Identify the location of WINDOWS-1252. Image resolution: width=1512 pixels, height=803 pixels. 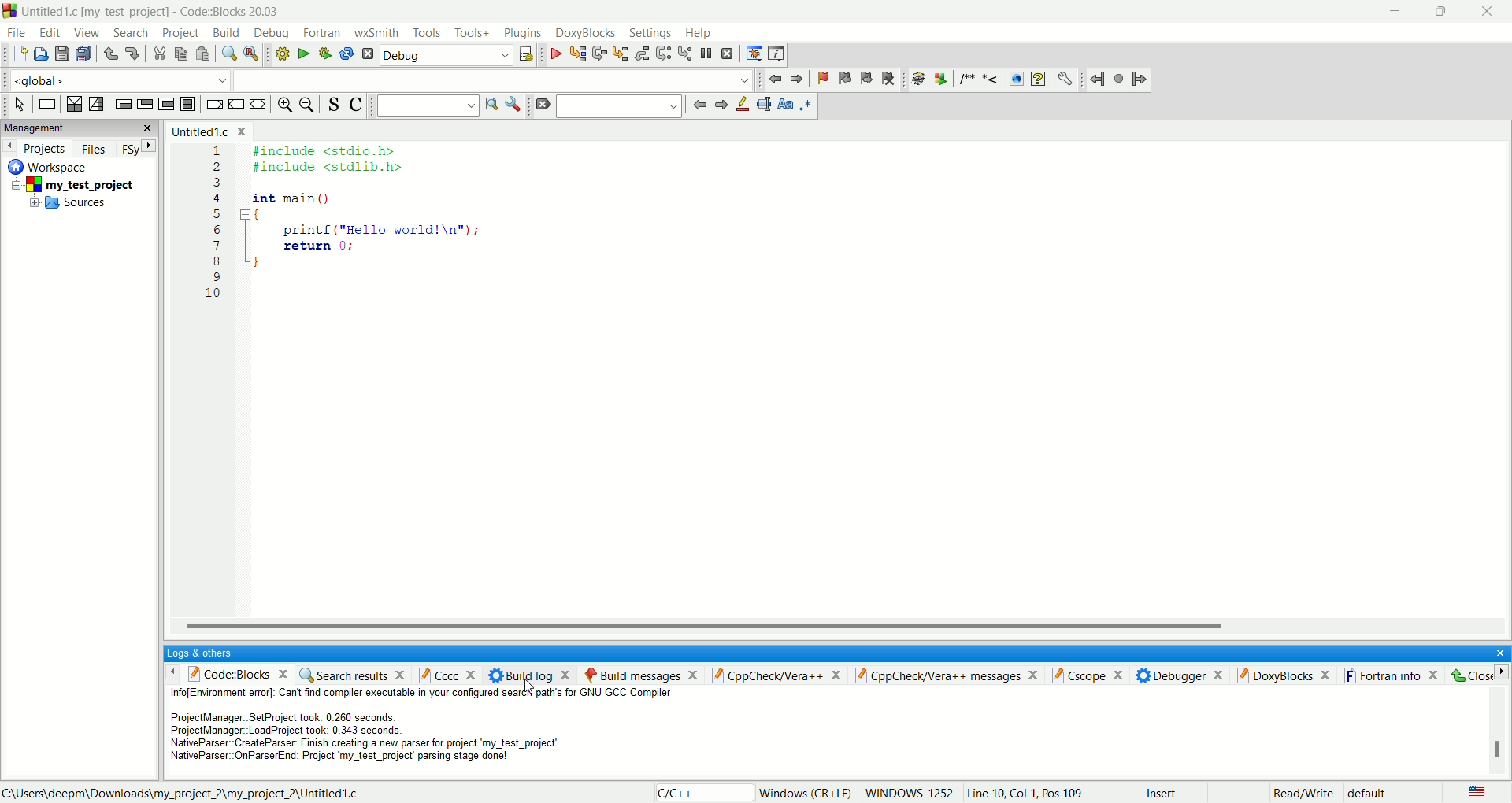
(910, 793).